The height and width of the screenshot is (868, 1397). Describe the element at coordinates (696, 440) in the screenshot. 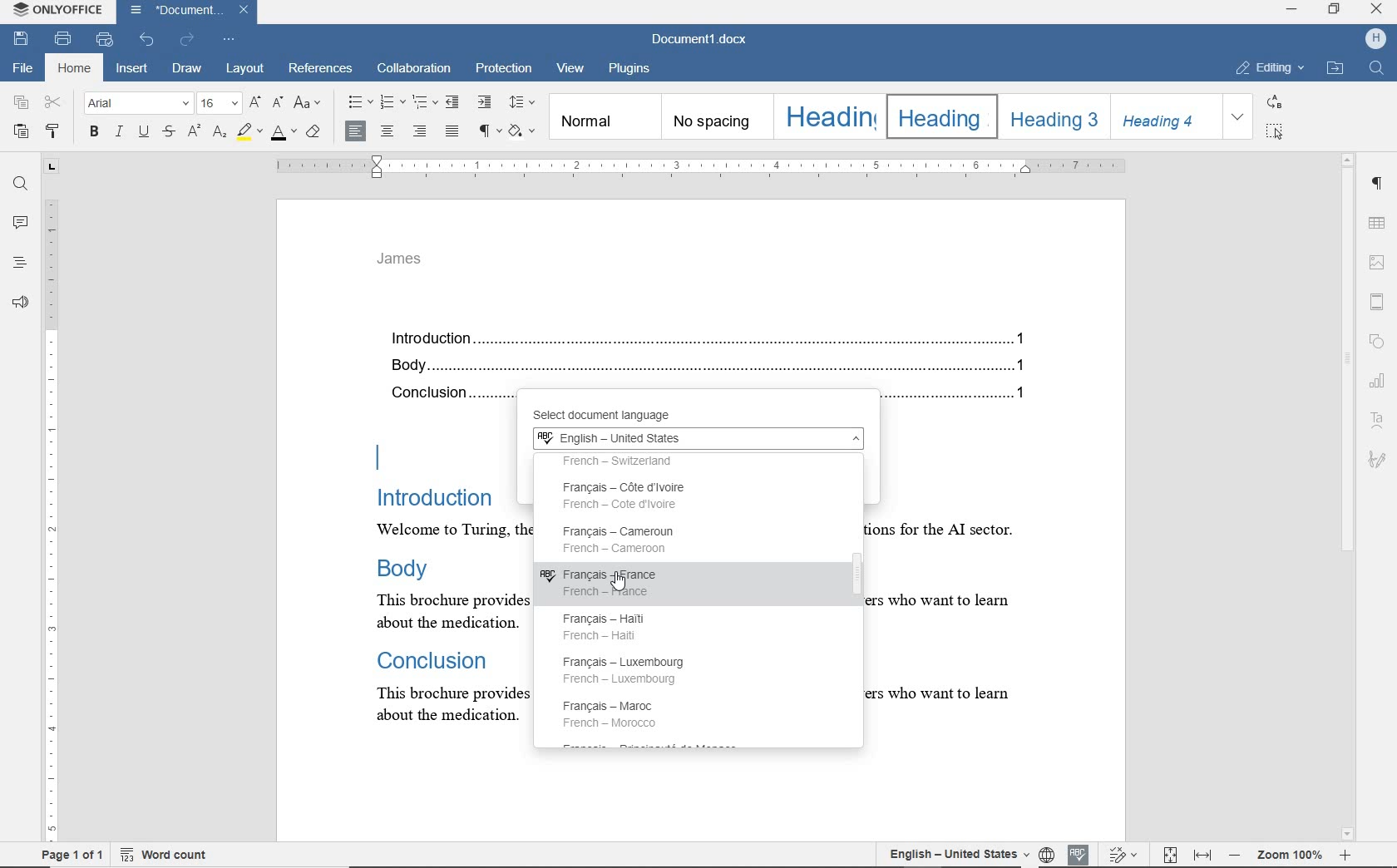

I see `English - United States` at that location.